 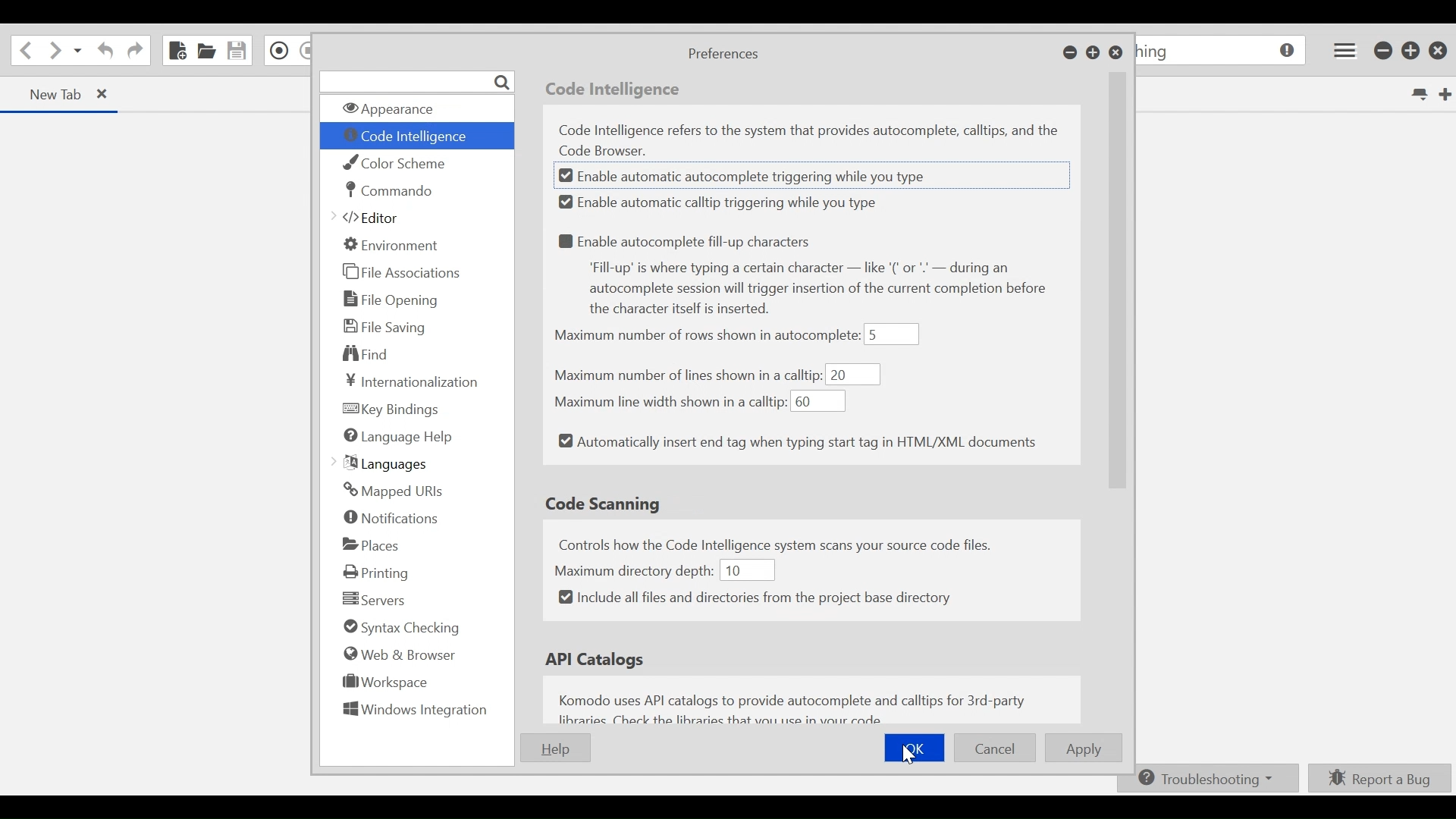 I want to click on Controls how the Code Intelligence system scans your source code files., so click(x=794, y=543).